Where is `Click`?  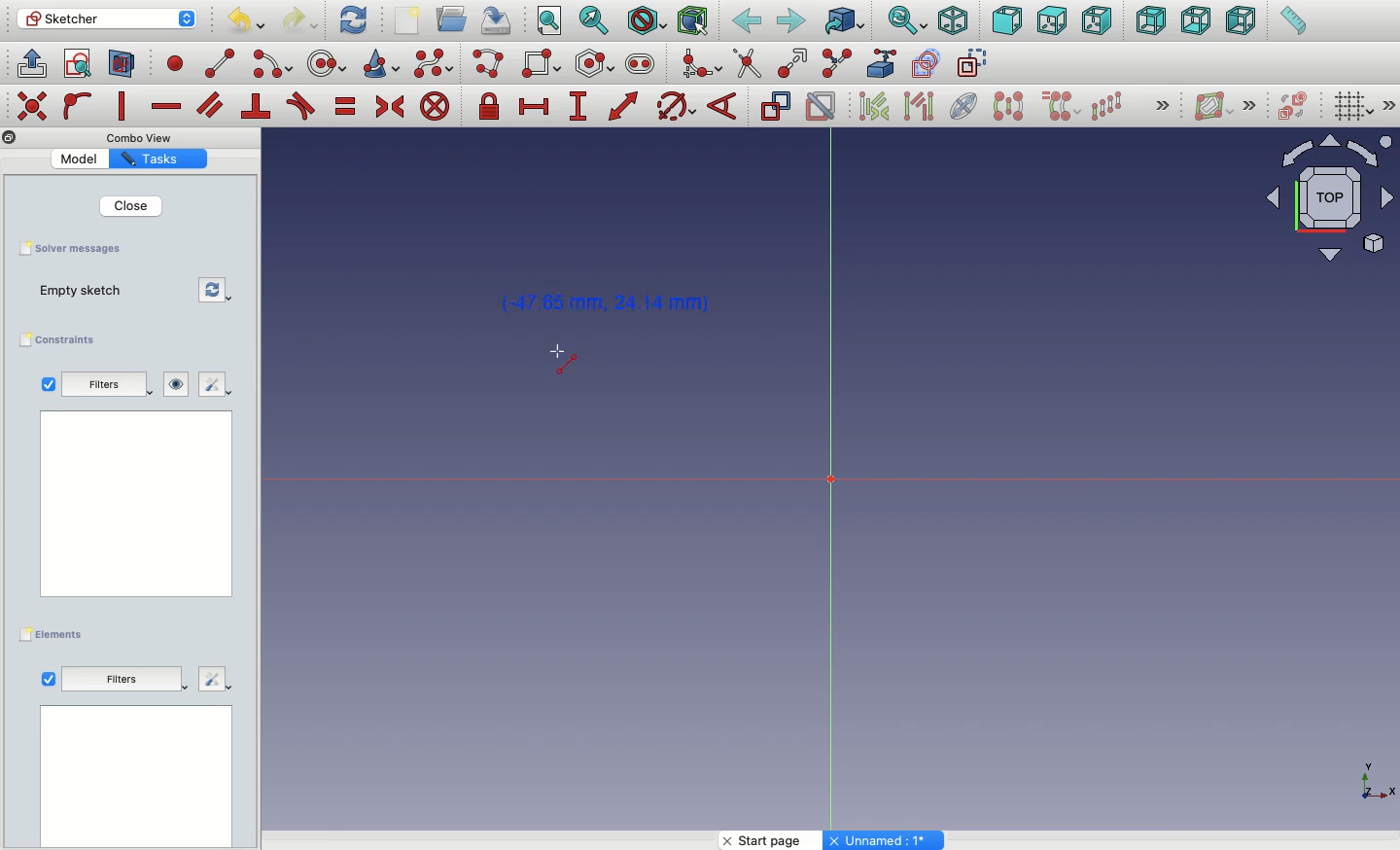 Click is located at coordinates (564, 362).